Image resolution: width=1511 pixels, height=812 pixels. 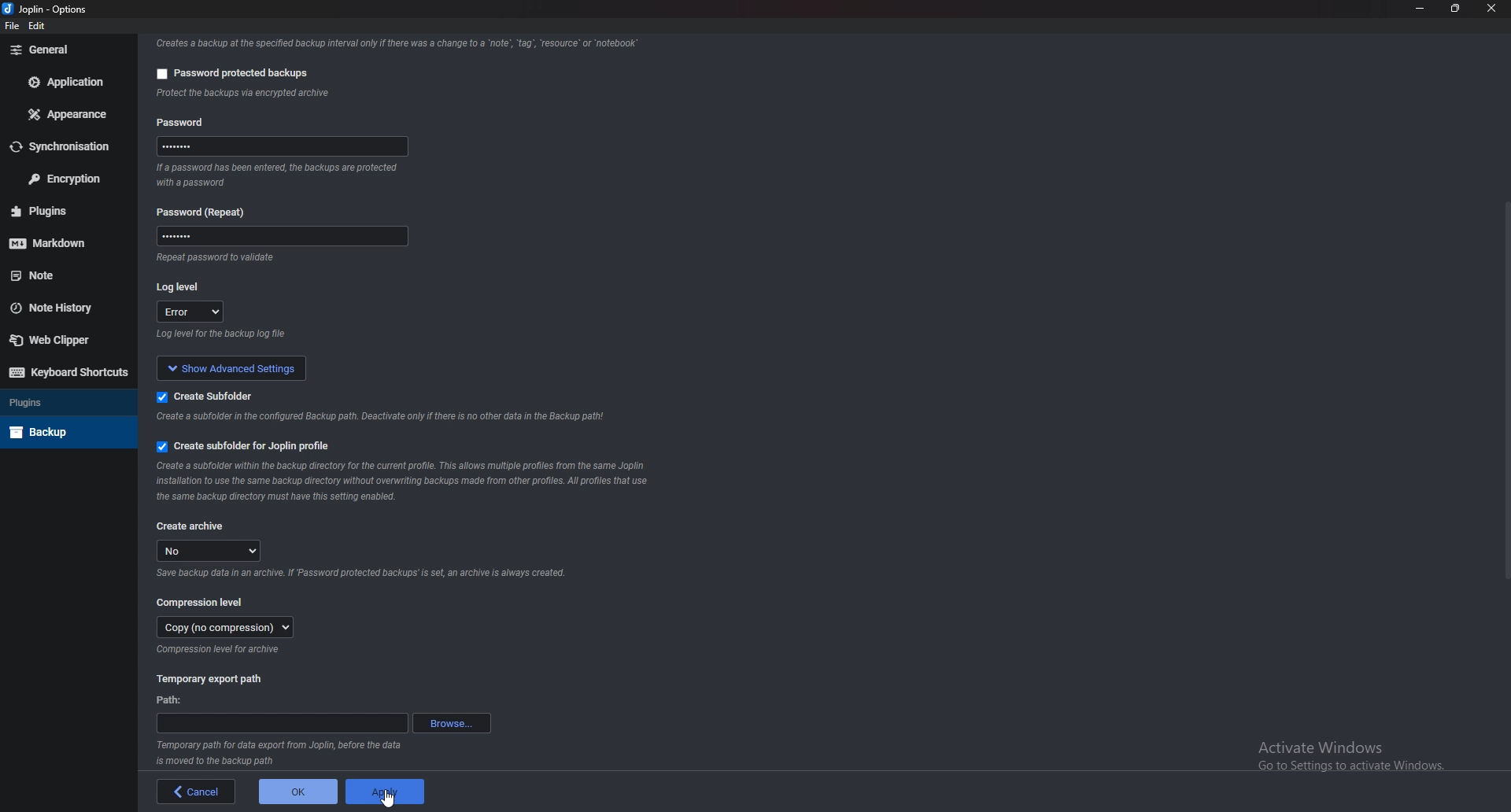 What do you see at coordinates (59, 339) in the screenshot?
I see `Web clipper` at bounding box center [59, 339].